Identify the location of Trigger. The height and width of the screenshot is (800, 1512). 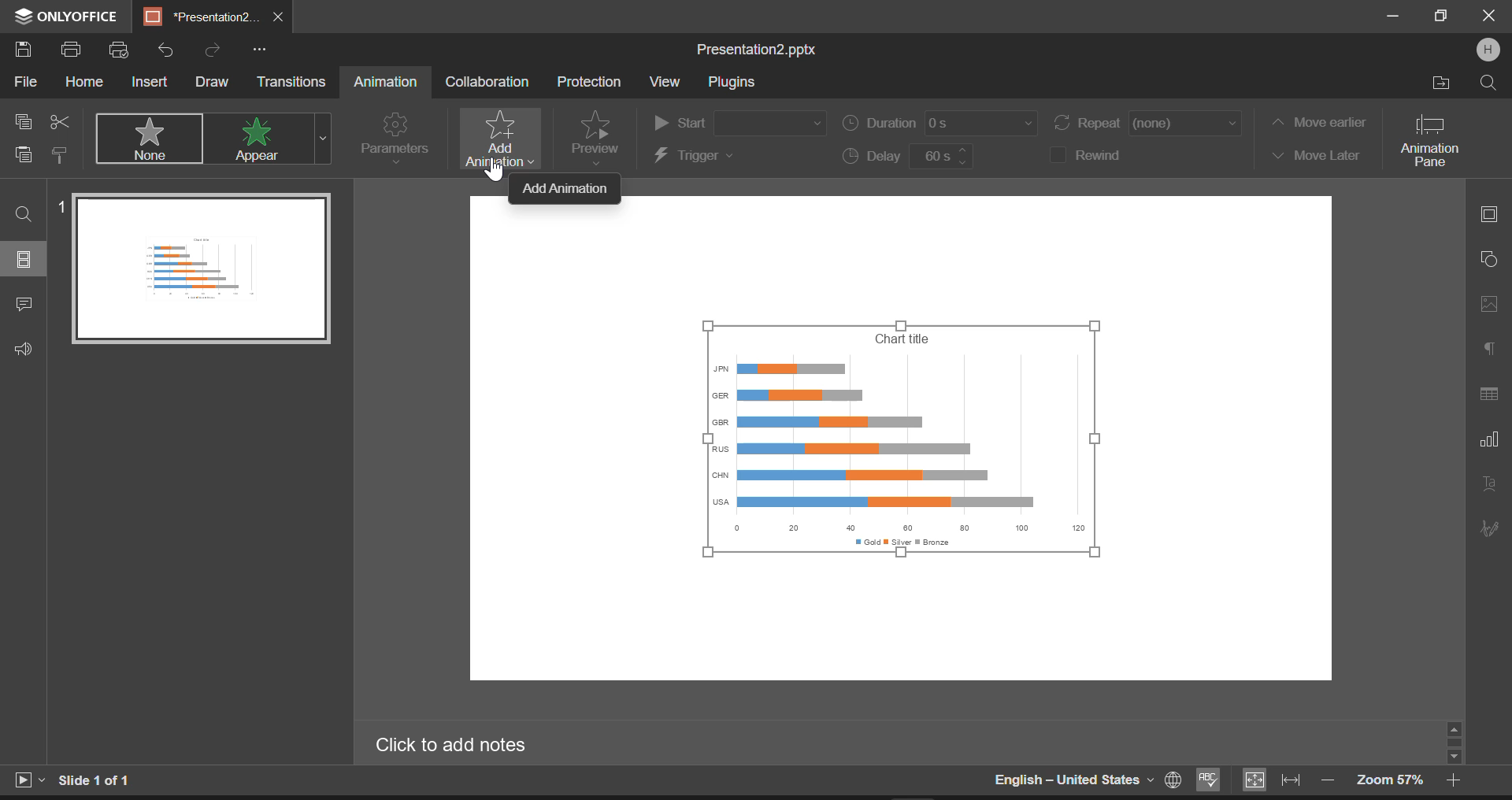
(737, 157).